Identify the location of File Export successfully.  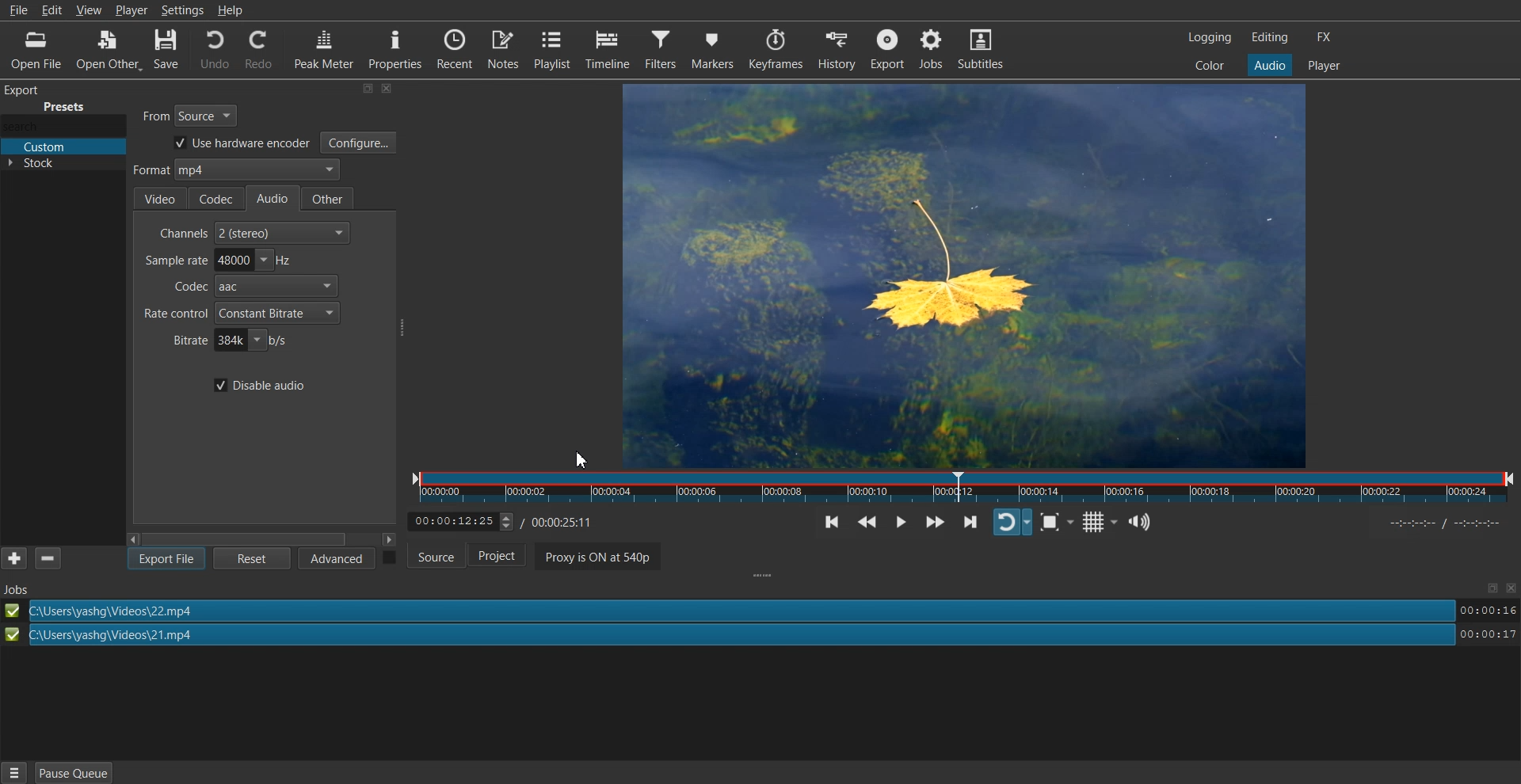
(760, 623).